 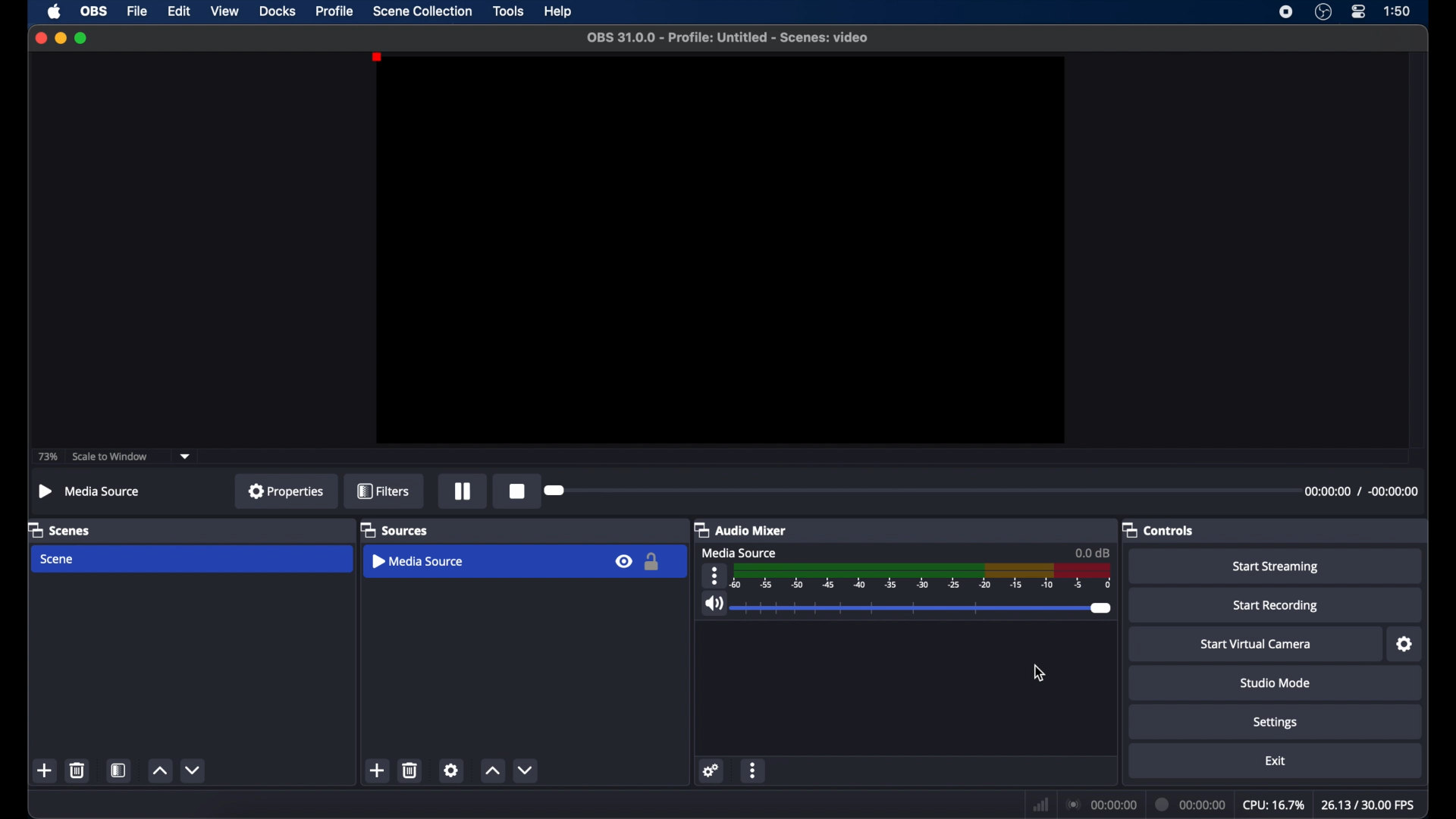 I want to click on , so click(x=1101, y=804).